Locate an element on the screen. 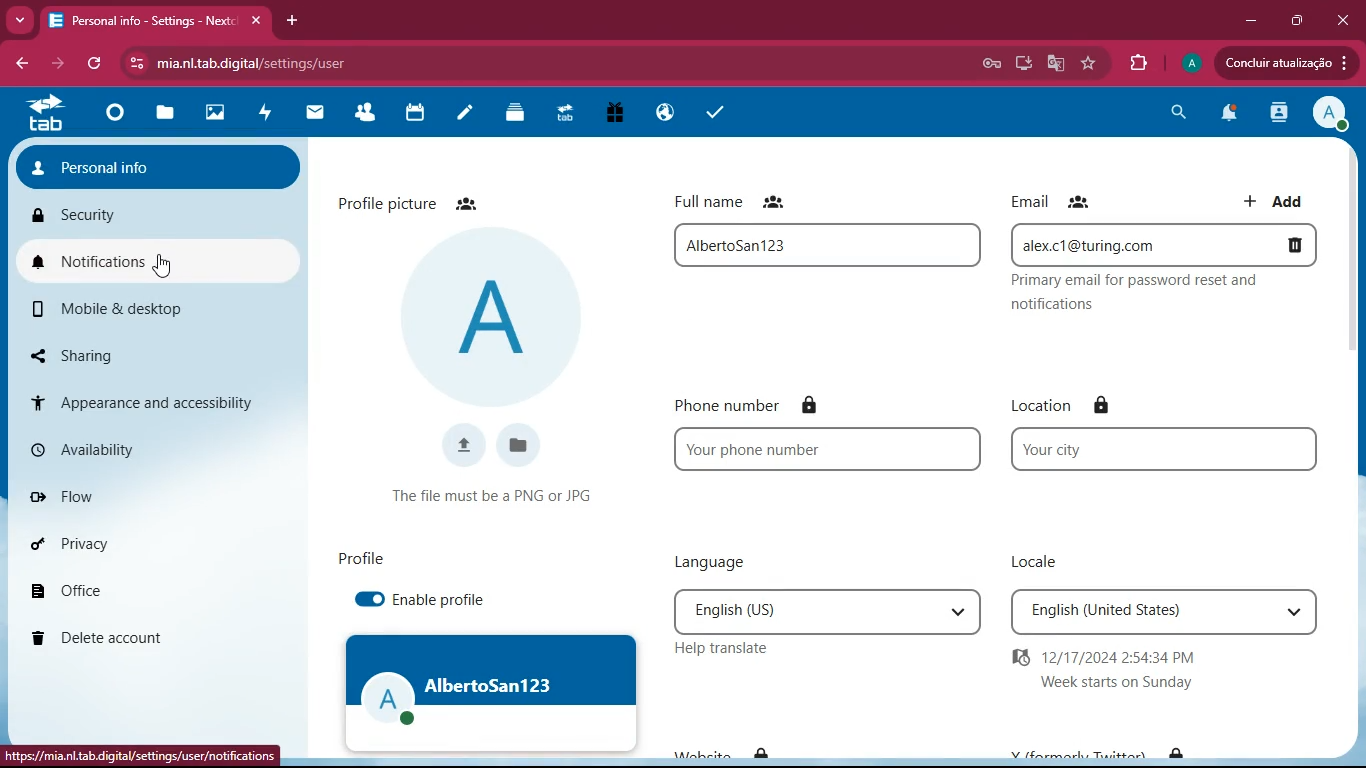 This screenshot has height=768, width=1366. appearance is located at coordinates (156, 401).